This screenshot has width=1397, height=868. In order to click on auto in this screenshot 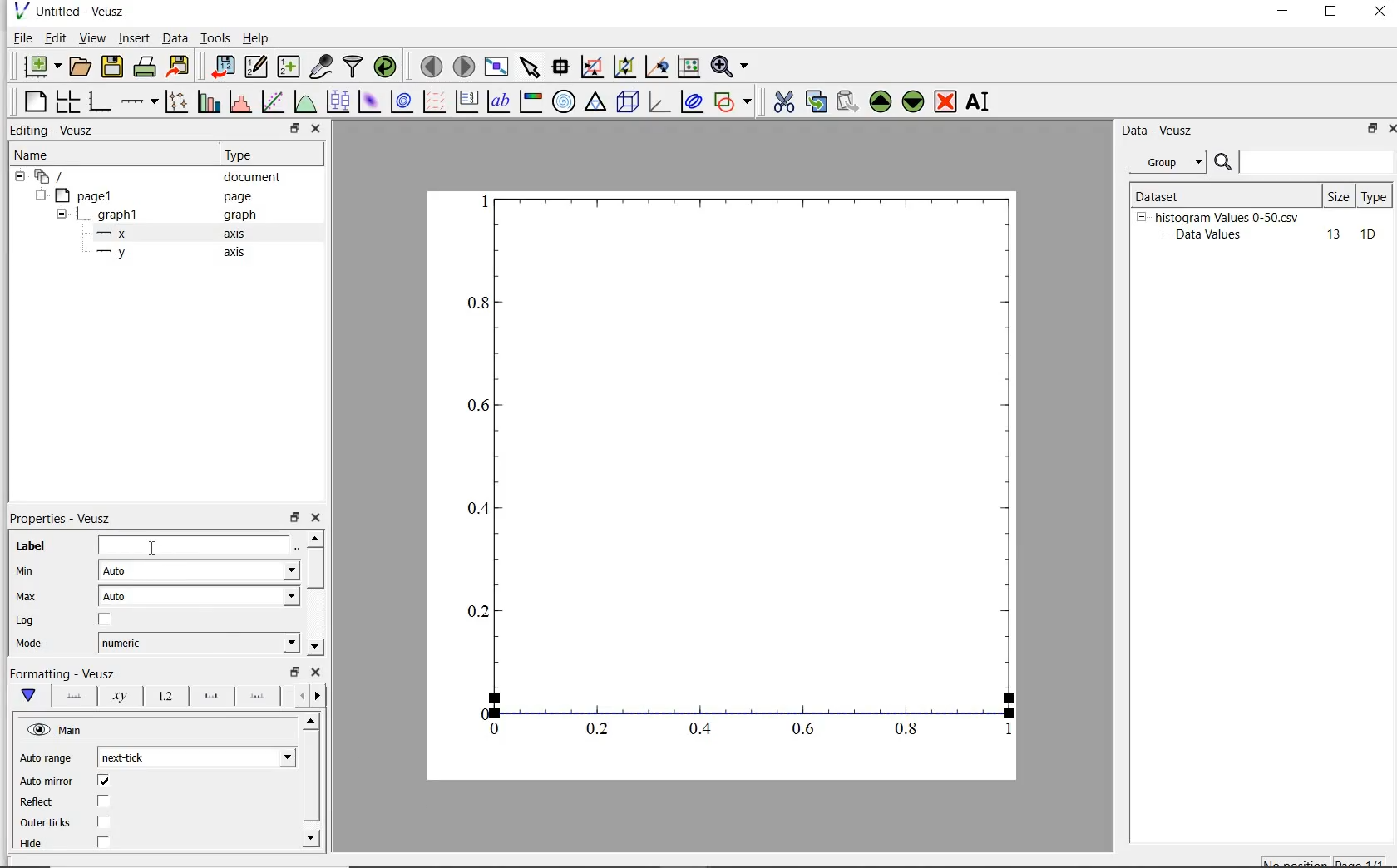, I will do `click(201, 596)`.